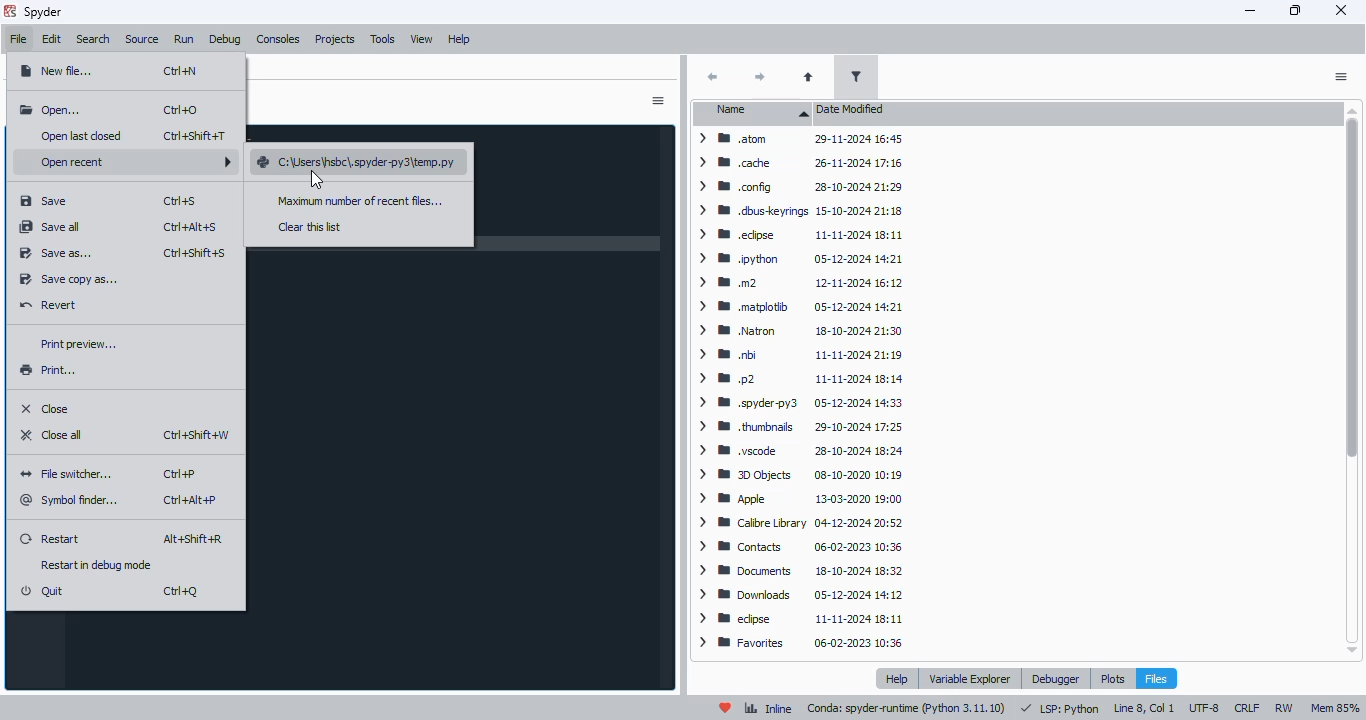  I want to click on help, so click(899, 679).